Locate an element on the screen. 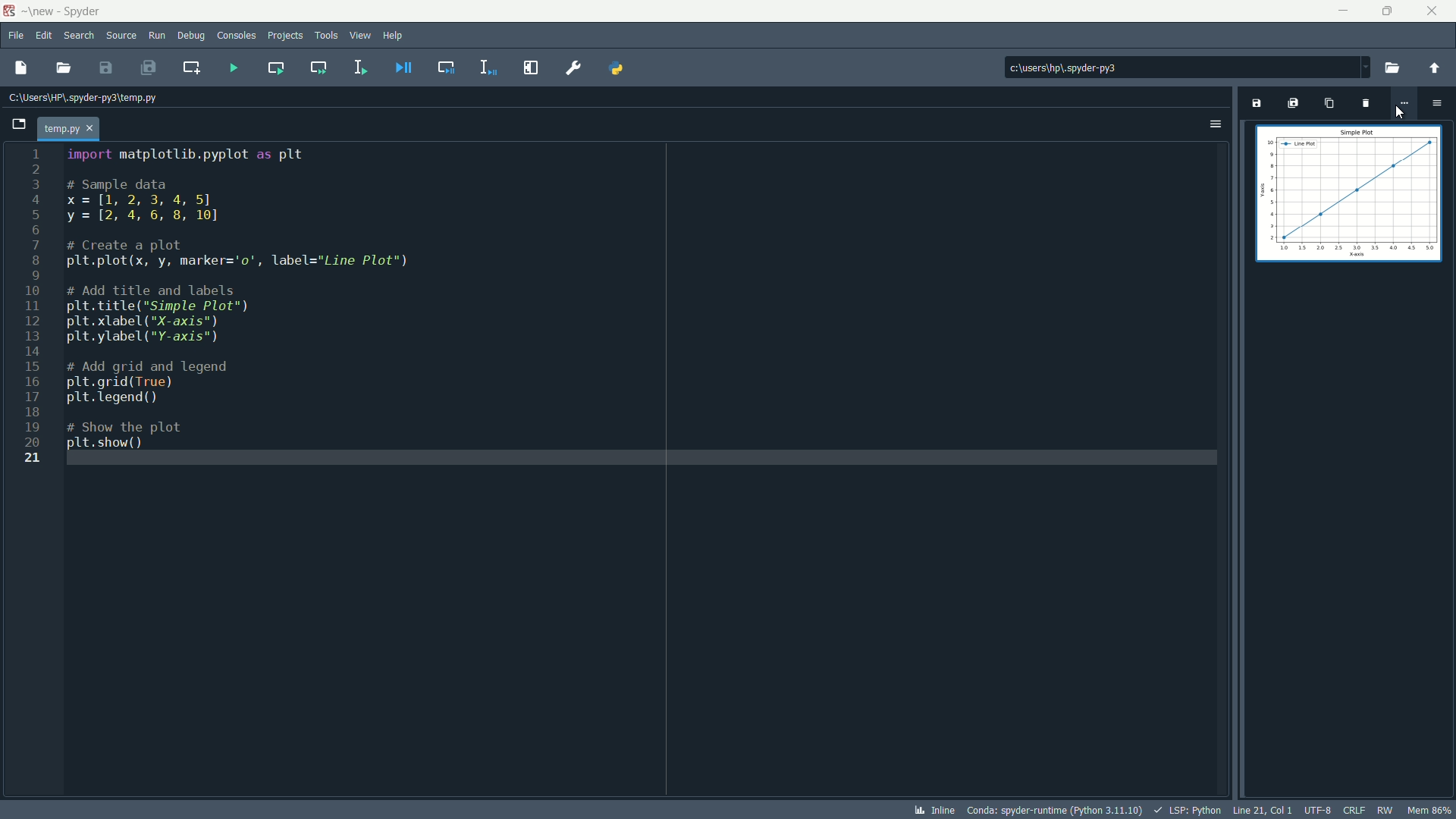 This screenshot has width=1456, height=819. crlf is located at coordinates (1354, 810).